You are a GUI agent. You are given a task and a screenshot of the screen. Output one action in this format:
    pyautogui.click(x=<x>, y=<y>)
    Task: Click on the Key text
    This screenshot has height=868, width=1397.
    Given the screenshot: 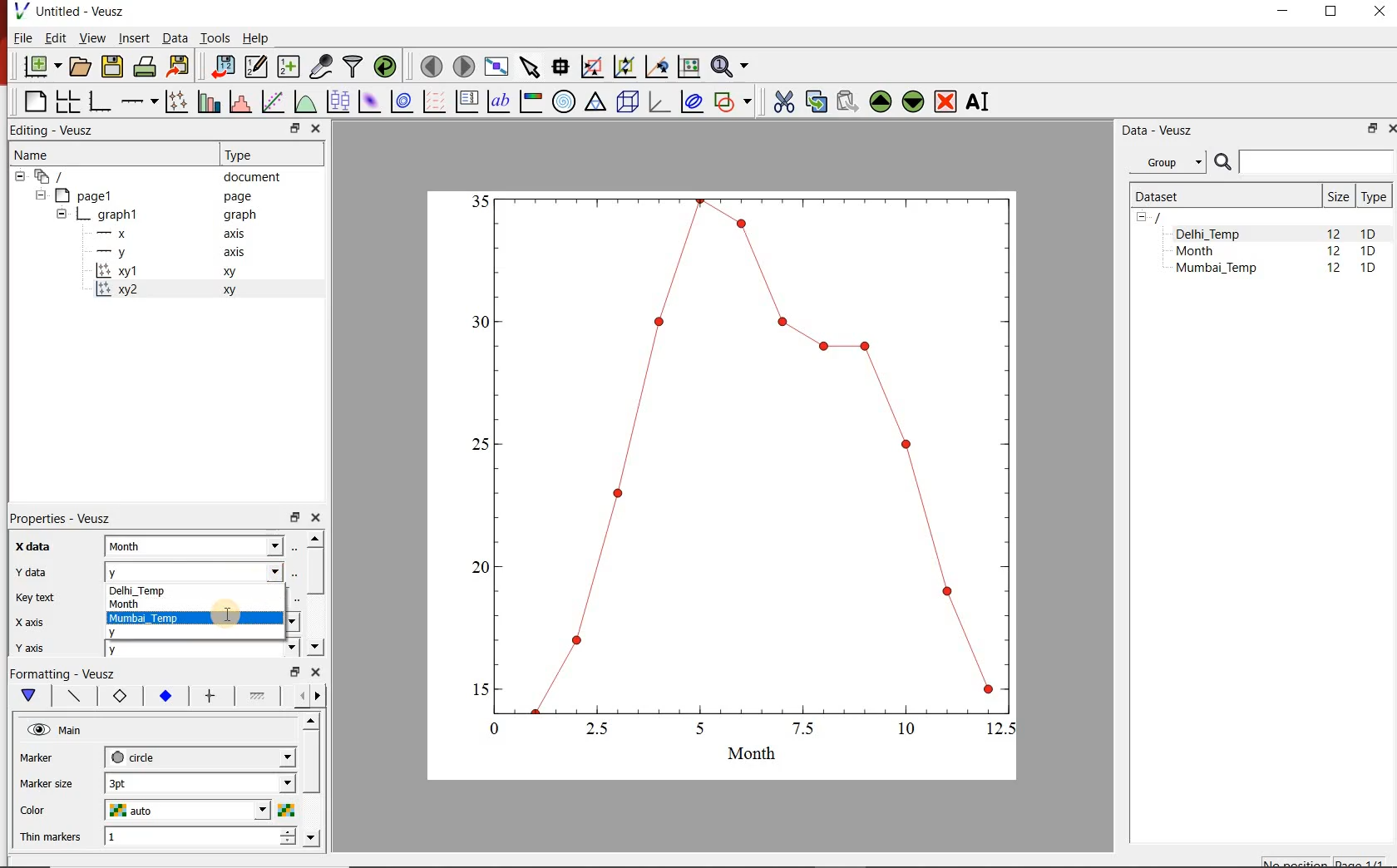 What is the action you would take?
    pyautogui.click(x=34, y=599)
    